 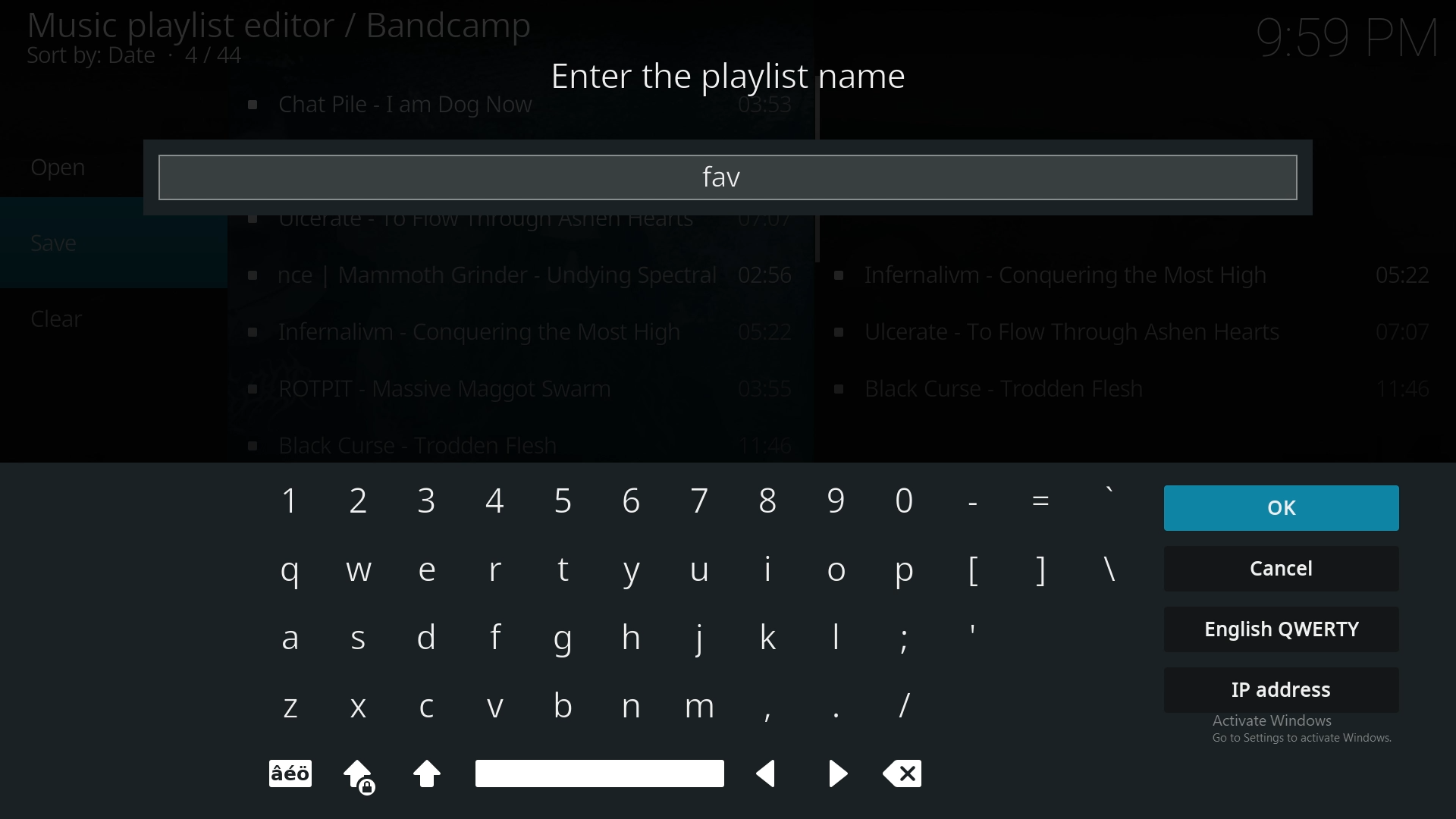 What do you see at coordinates (359, 573) in the screenshot?
I see `keyboard input` at bounding box center [359, 573].